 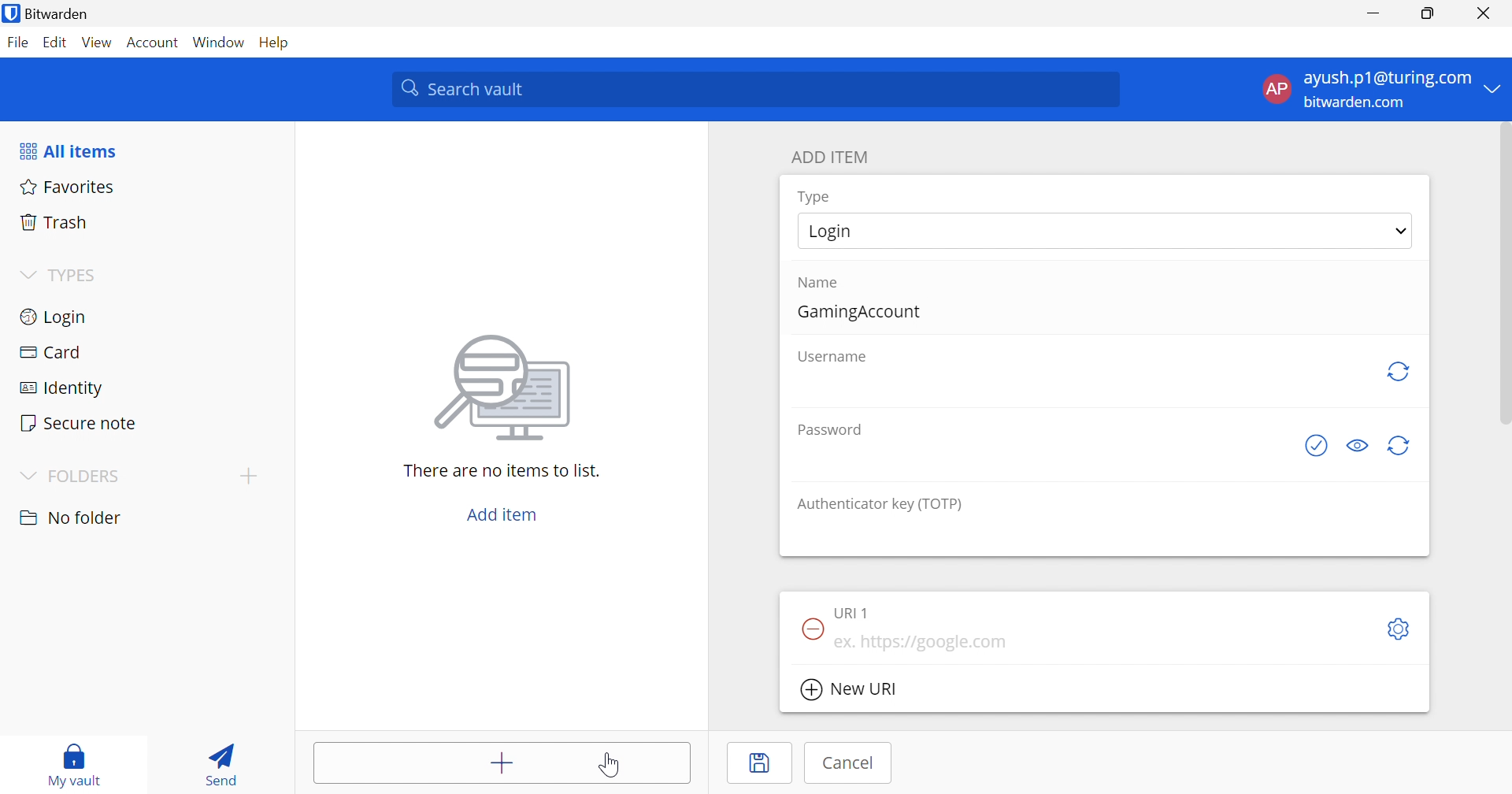 I want to click on Remove, so click(x=810, y=627).